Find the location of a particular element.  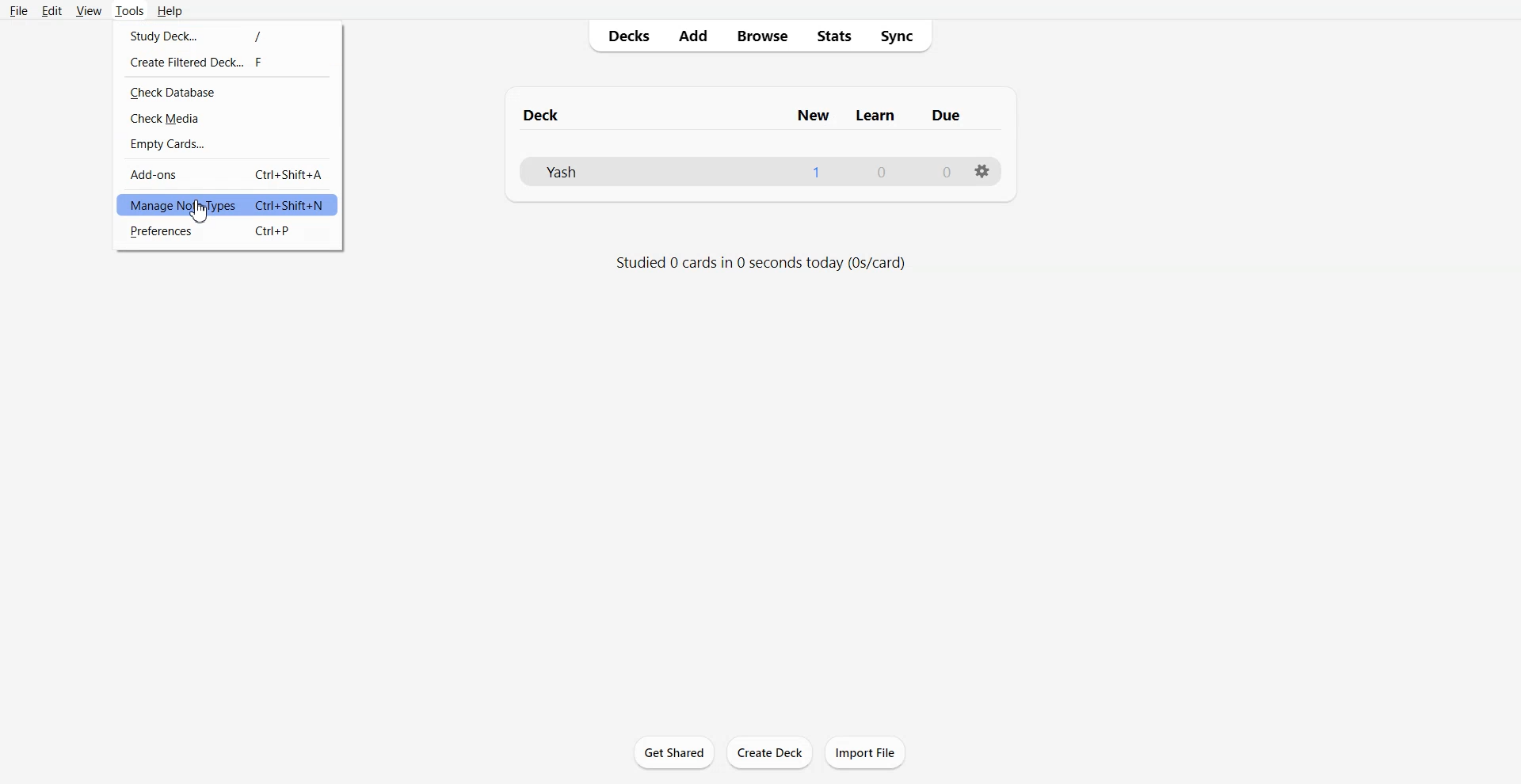

Text 2 is located at coordinates (760, 264).